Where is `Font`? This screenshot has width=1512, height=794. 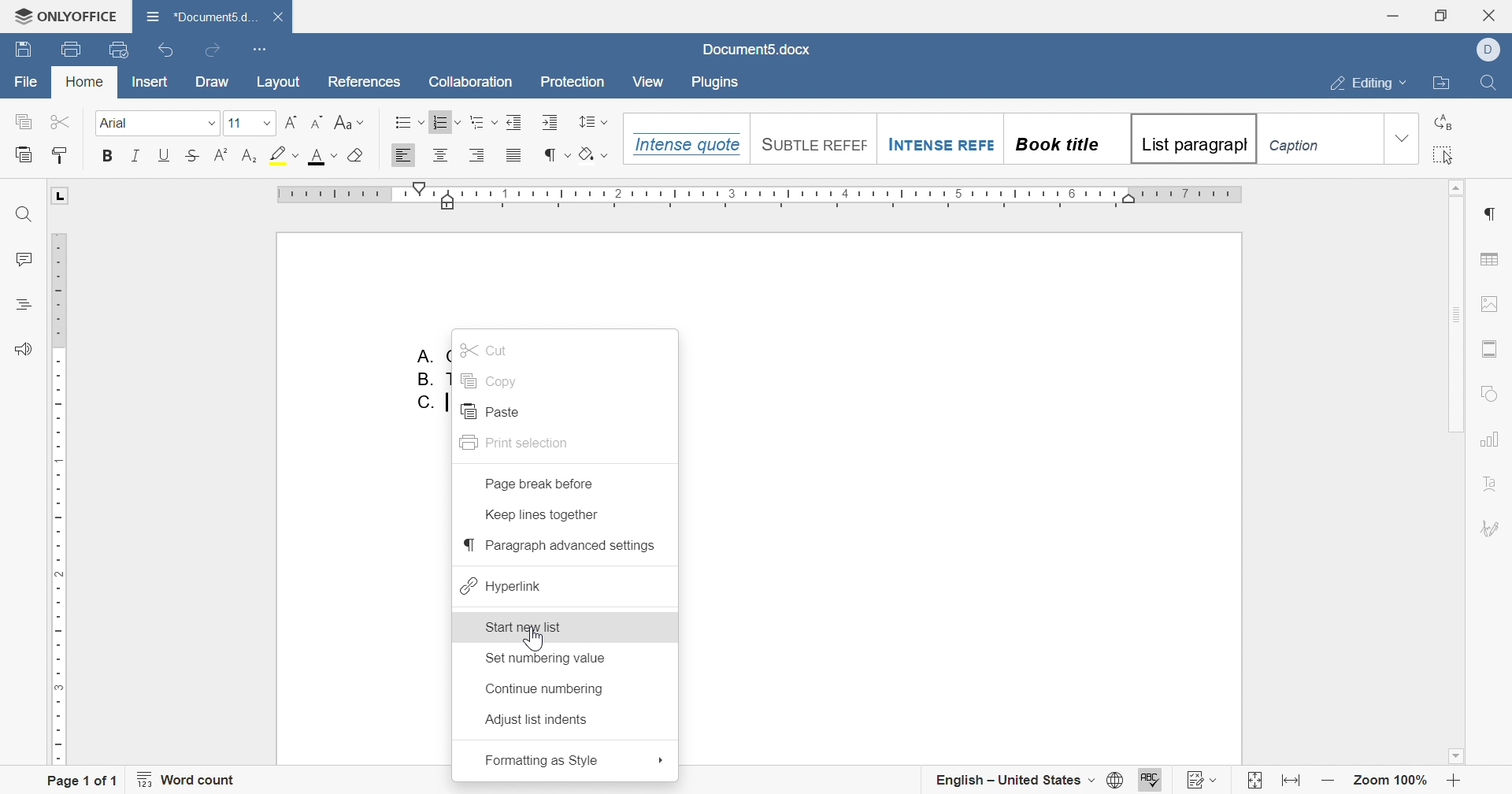
Font is located at coordinates (116, 123).